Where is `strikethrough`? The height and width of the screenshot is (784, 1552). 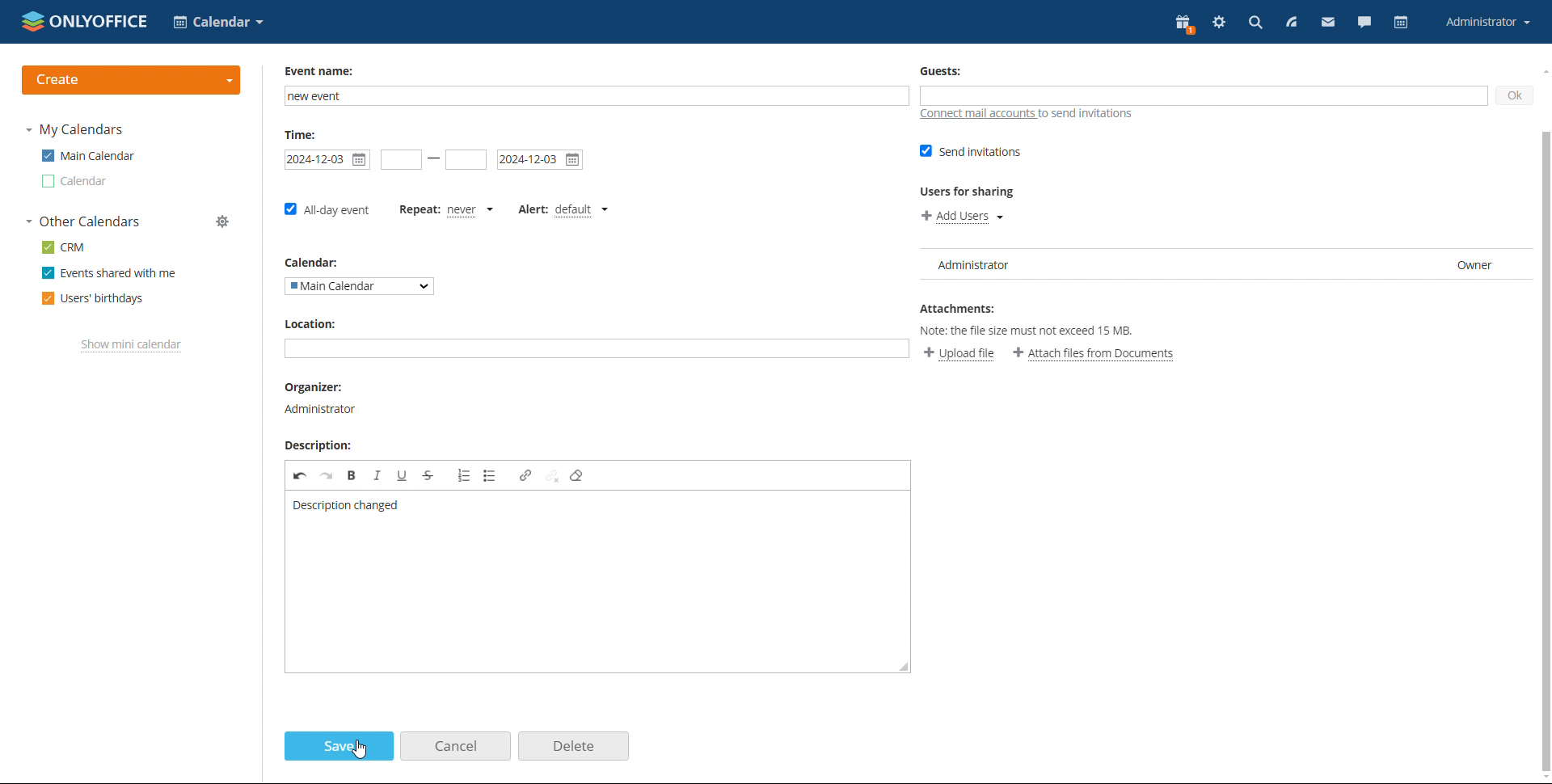
strikethrough is located at coordinates (432, 475).